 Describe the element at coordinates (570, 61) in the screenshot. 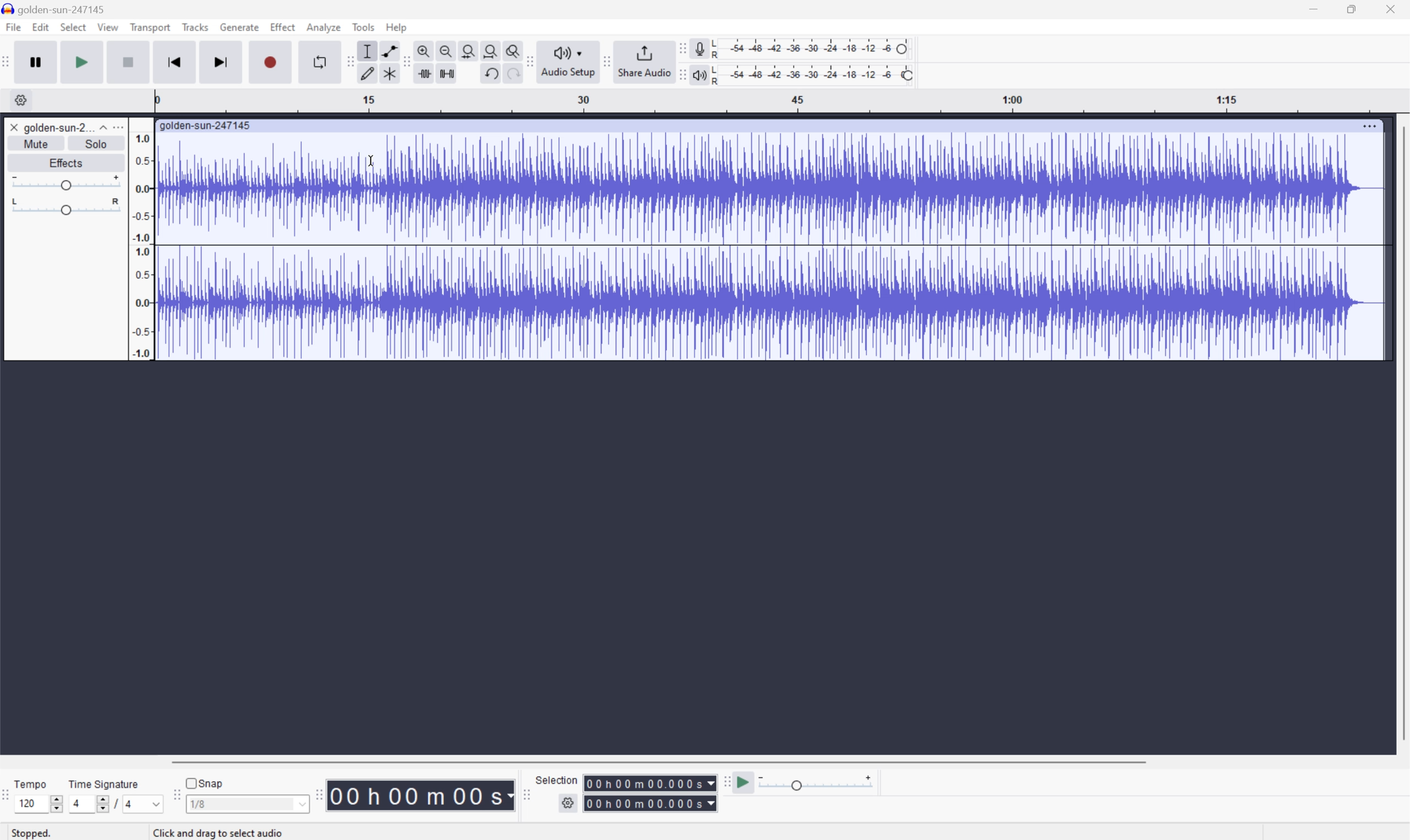

I see `Audio setup` at that location.